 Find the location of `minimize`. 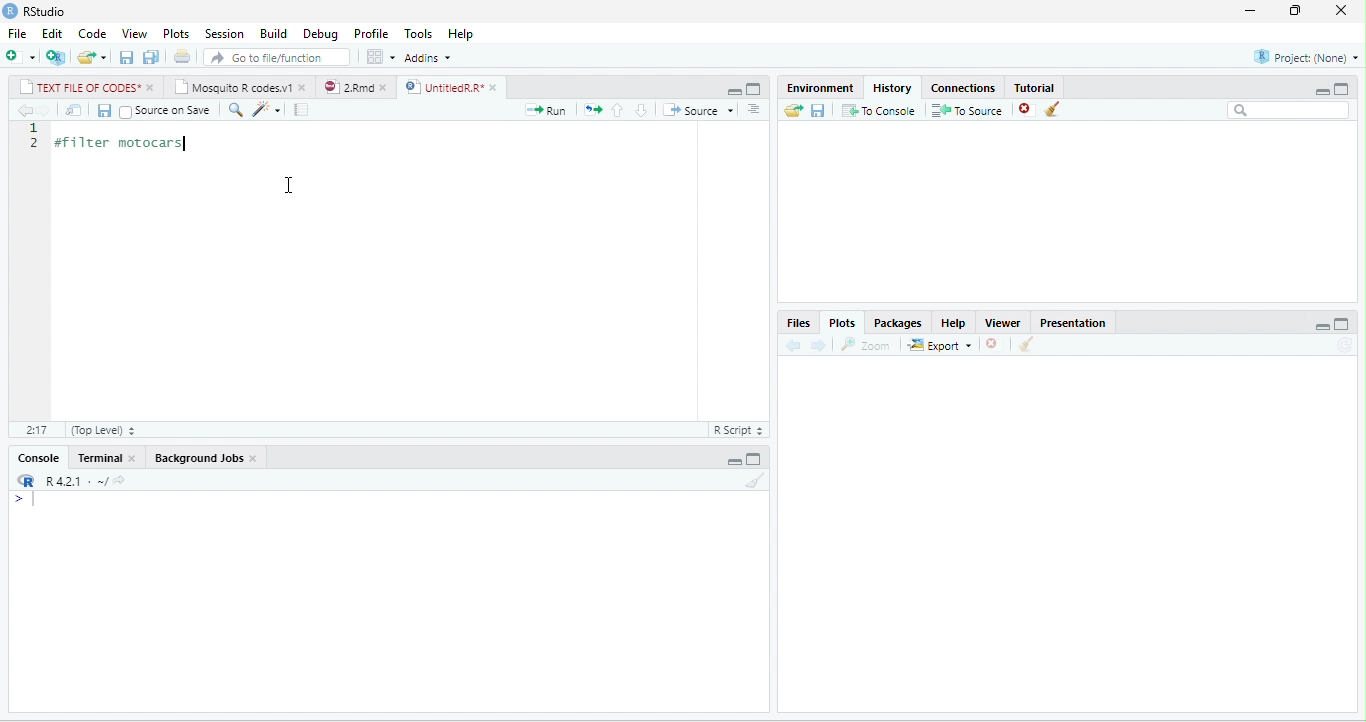

minimize is located at coordinates (734, 91).